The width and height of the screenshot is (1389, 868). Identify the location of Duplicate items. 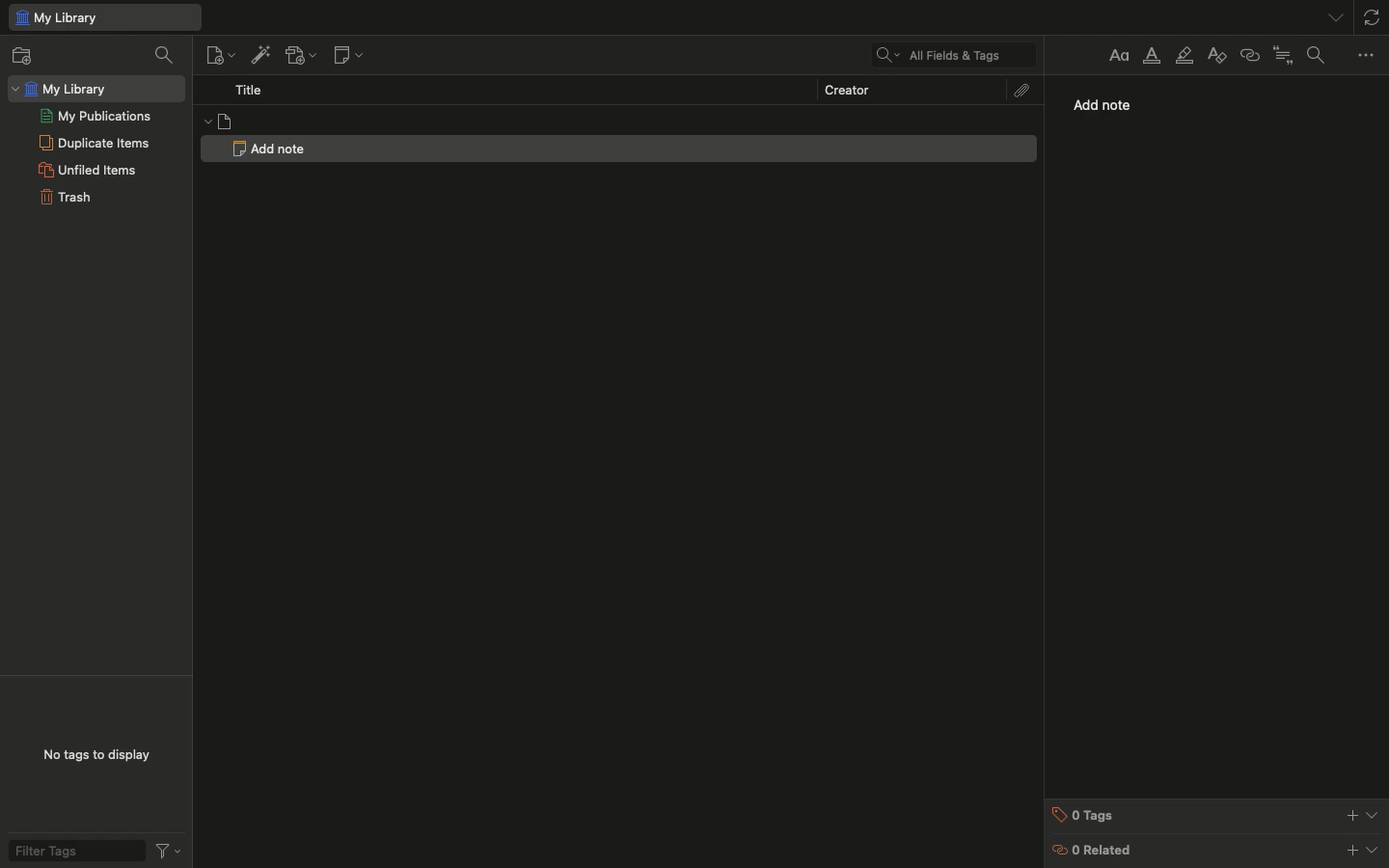
(95, 142).